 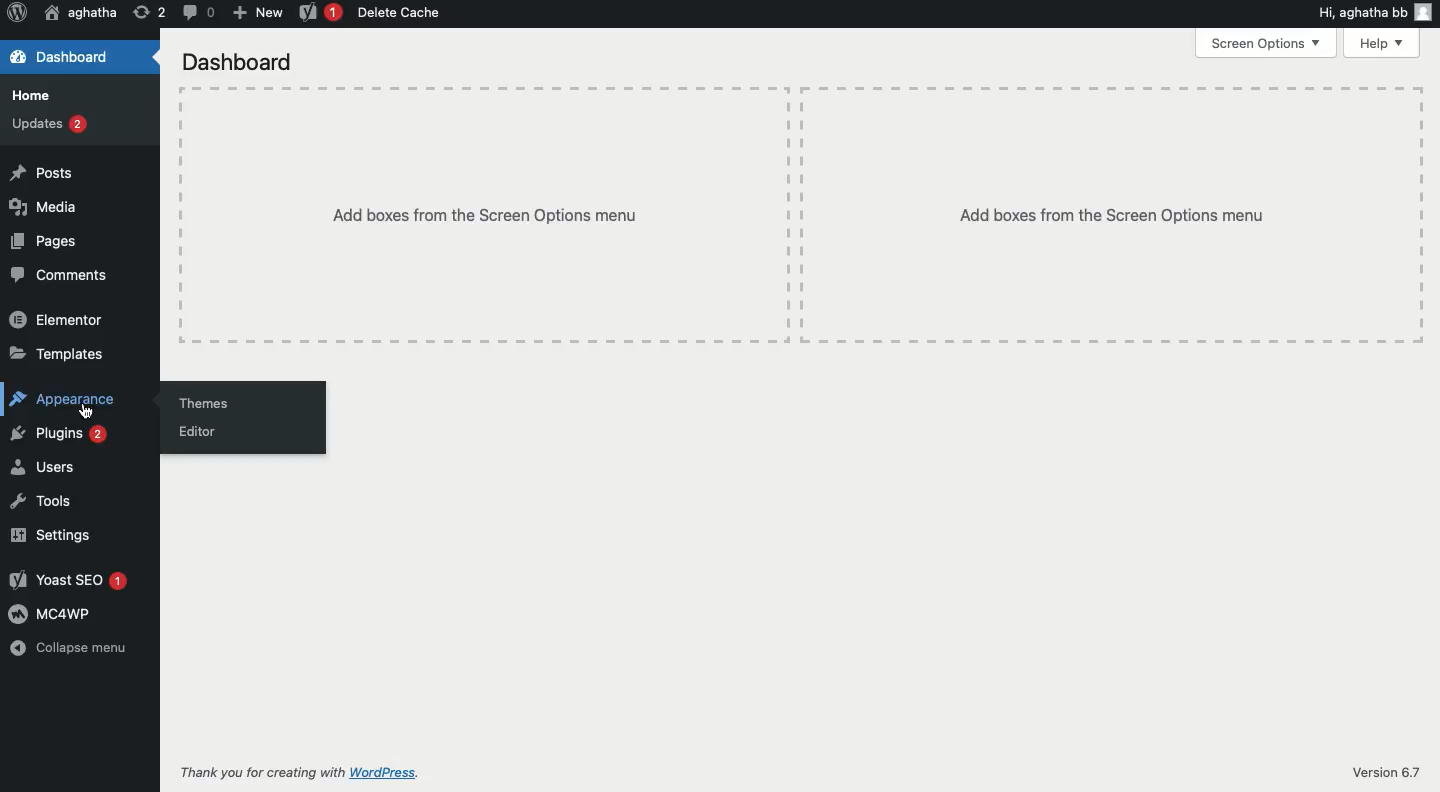 I want to click on User, so click(x=80, y=13).